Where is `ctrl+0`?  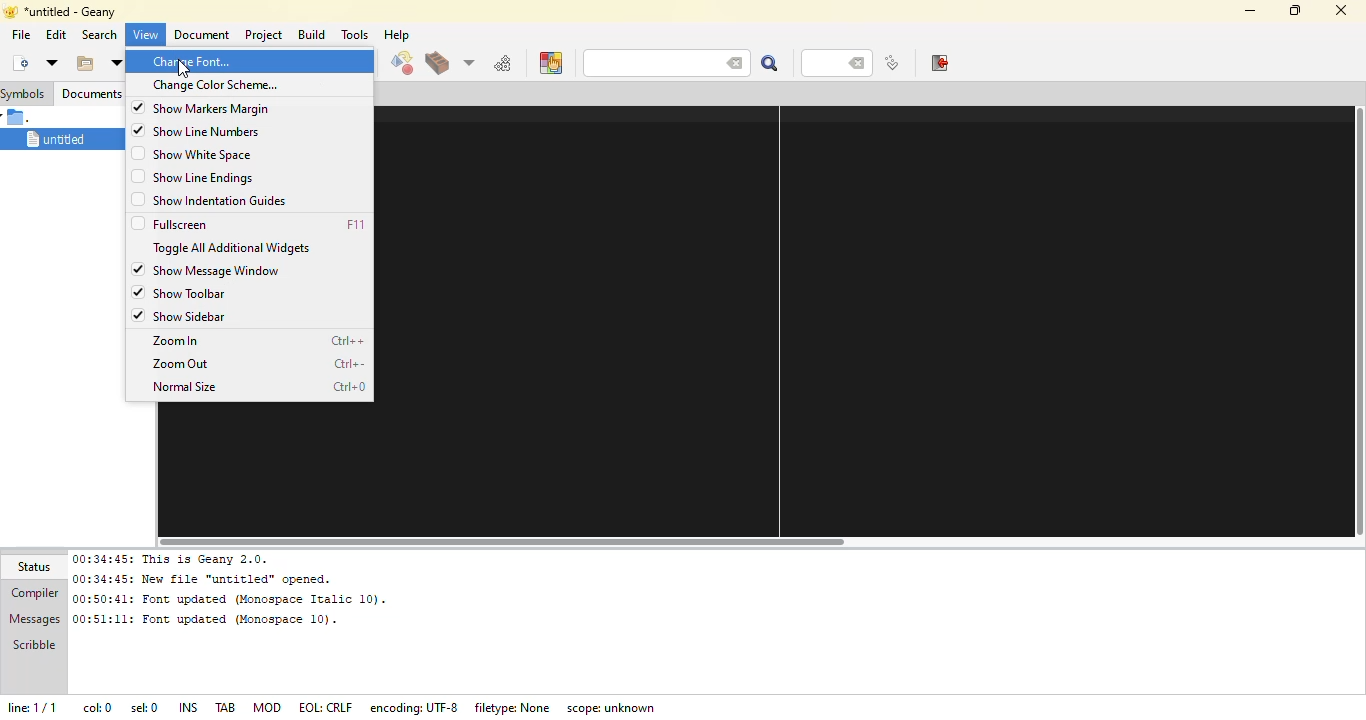
ctrl+0 is located at coordinates (347, 388).